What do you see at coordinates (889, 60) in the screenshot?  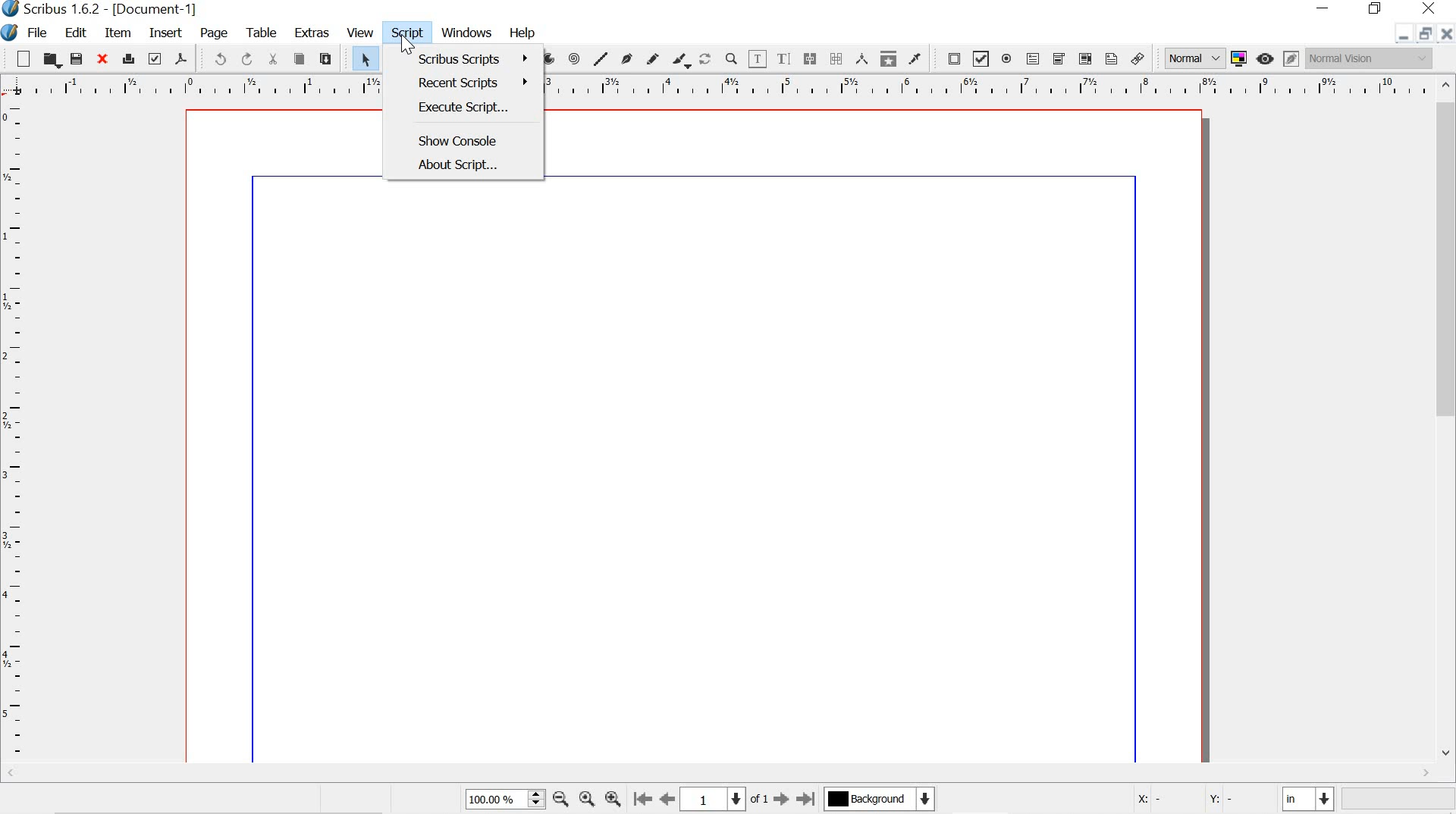 I see `copy item properties` at bounding box center [889, 60].